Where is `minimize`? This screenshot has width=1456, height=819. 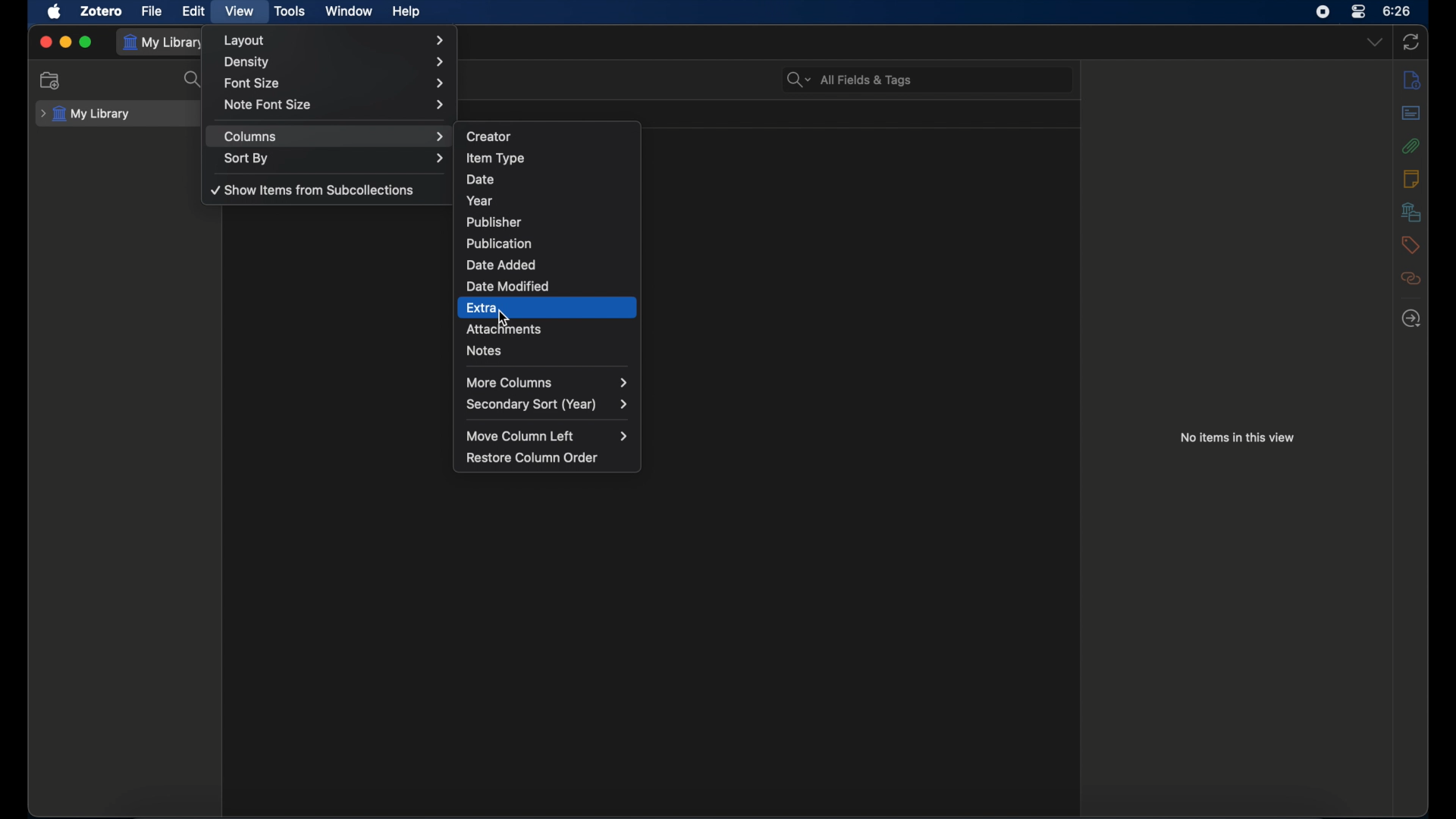 minimize is located at coordinates (65, 41).